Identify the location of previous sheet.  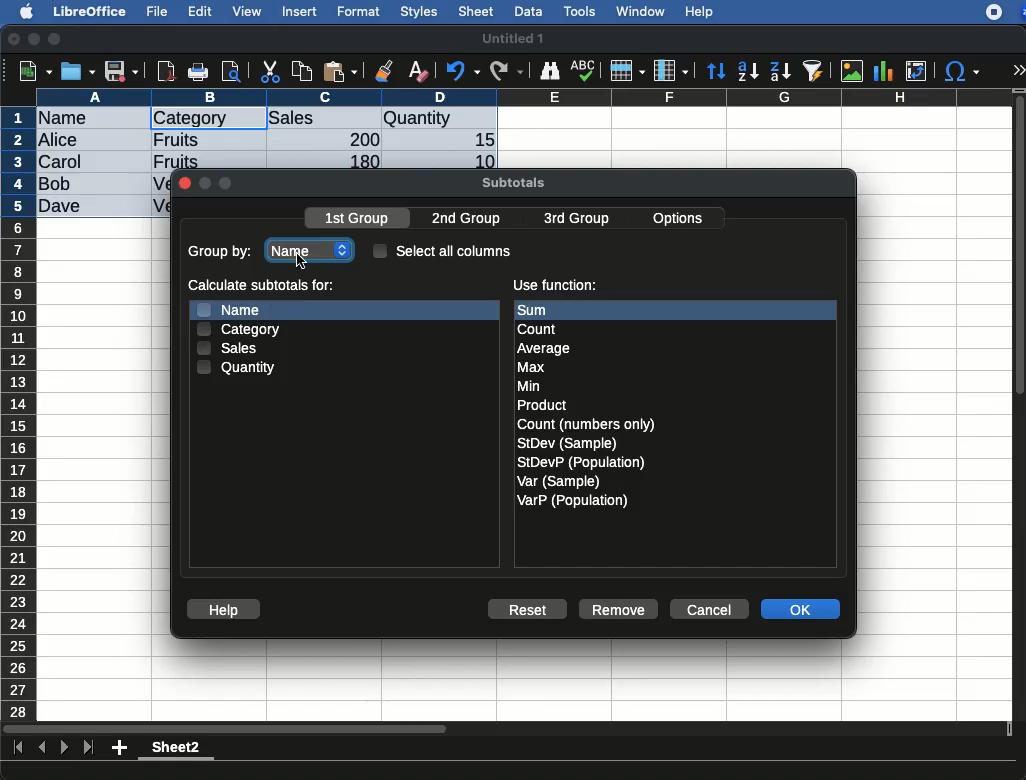
(44, 748).